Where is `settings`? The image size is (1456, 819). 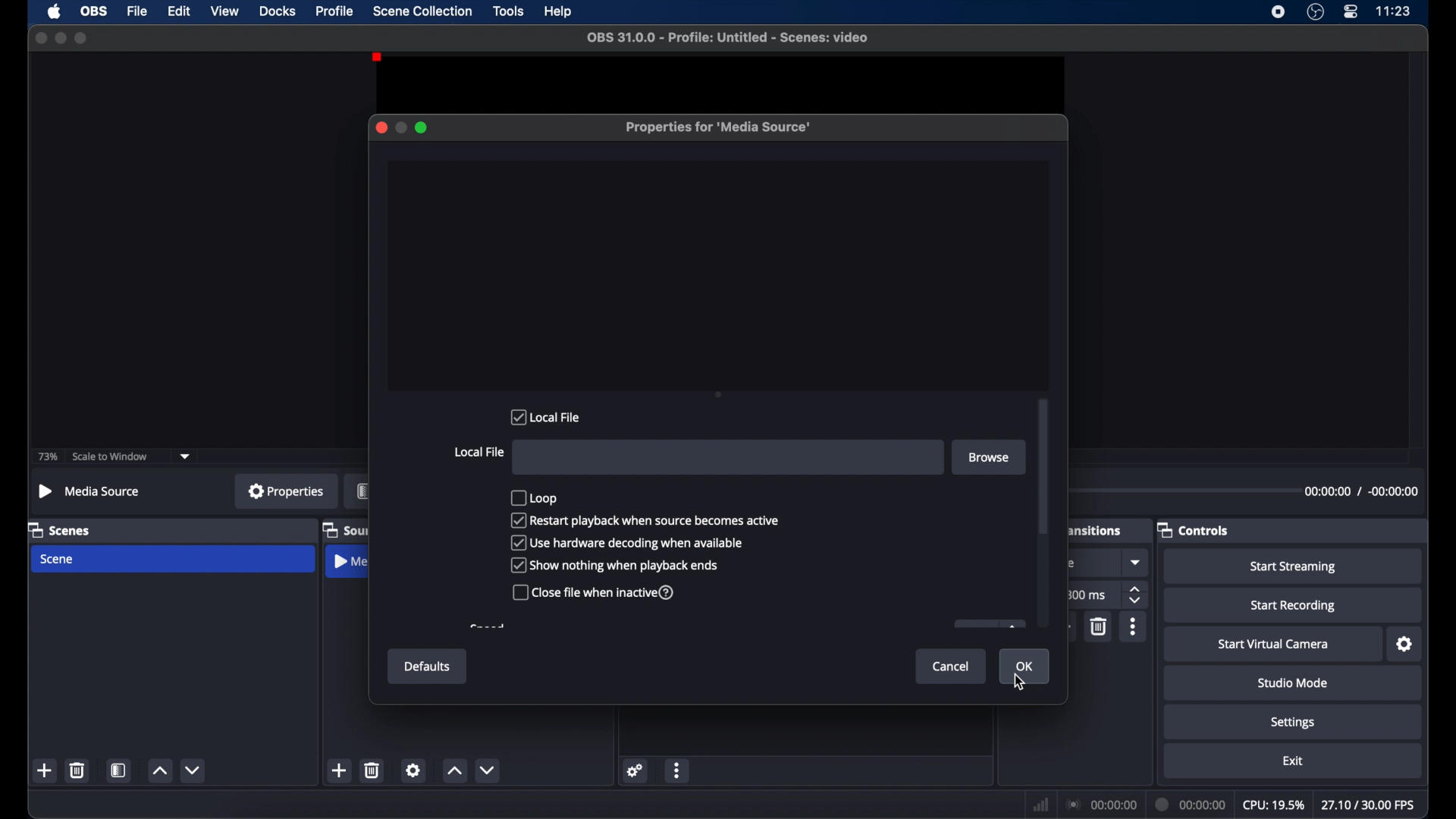
settings is located at coordinates (1294, 723).